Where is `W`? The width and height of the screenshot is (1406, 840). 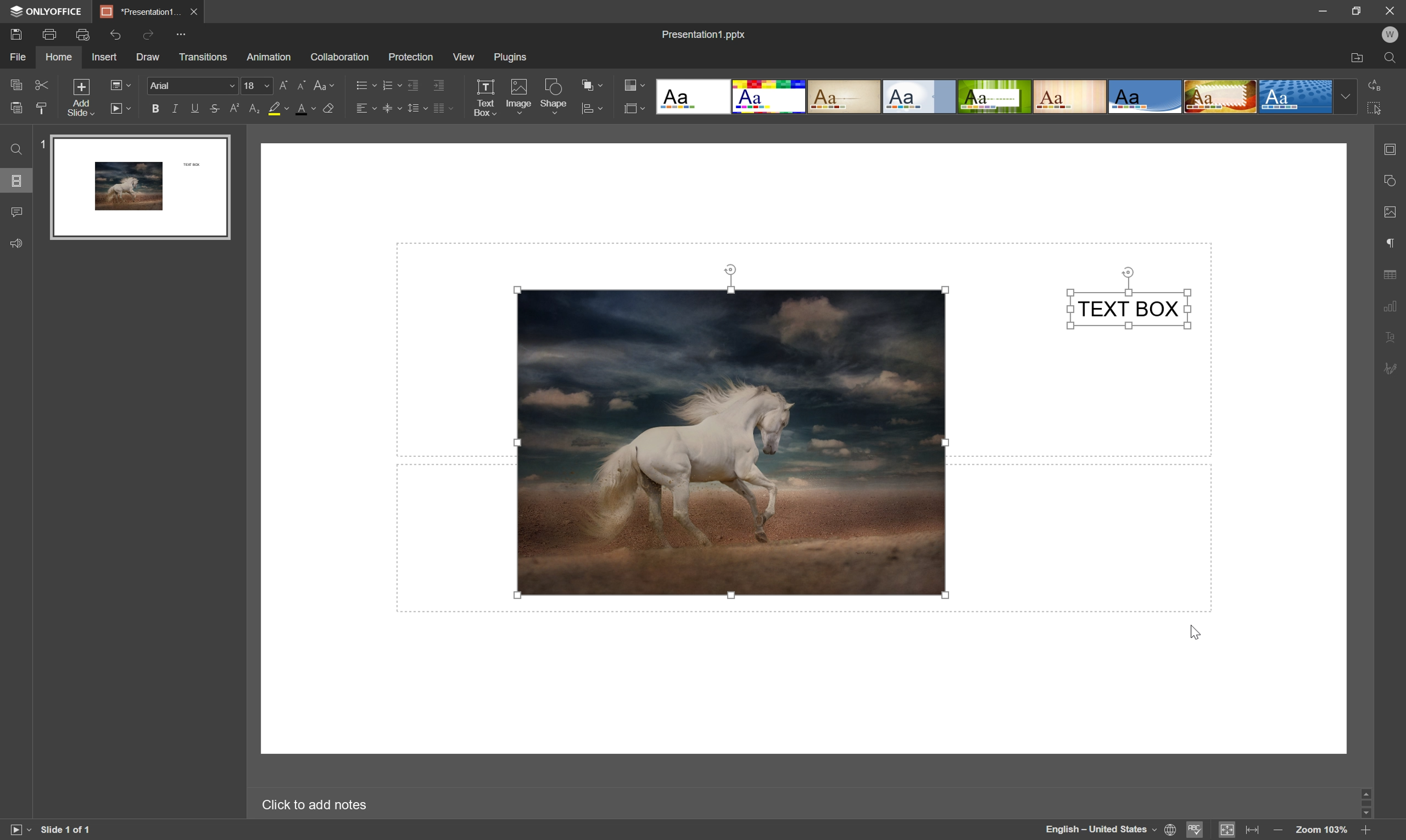
W is located at coordinates (1390, 35).